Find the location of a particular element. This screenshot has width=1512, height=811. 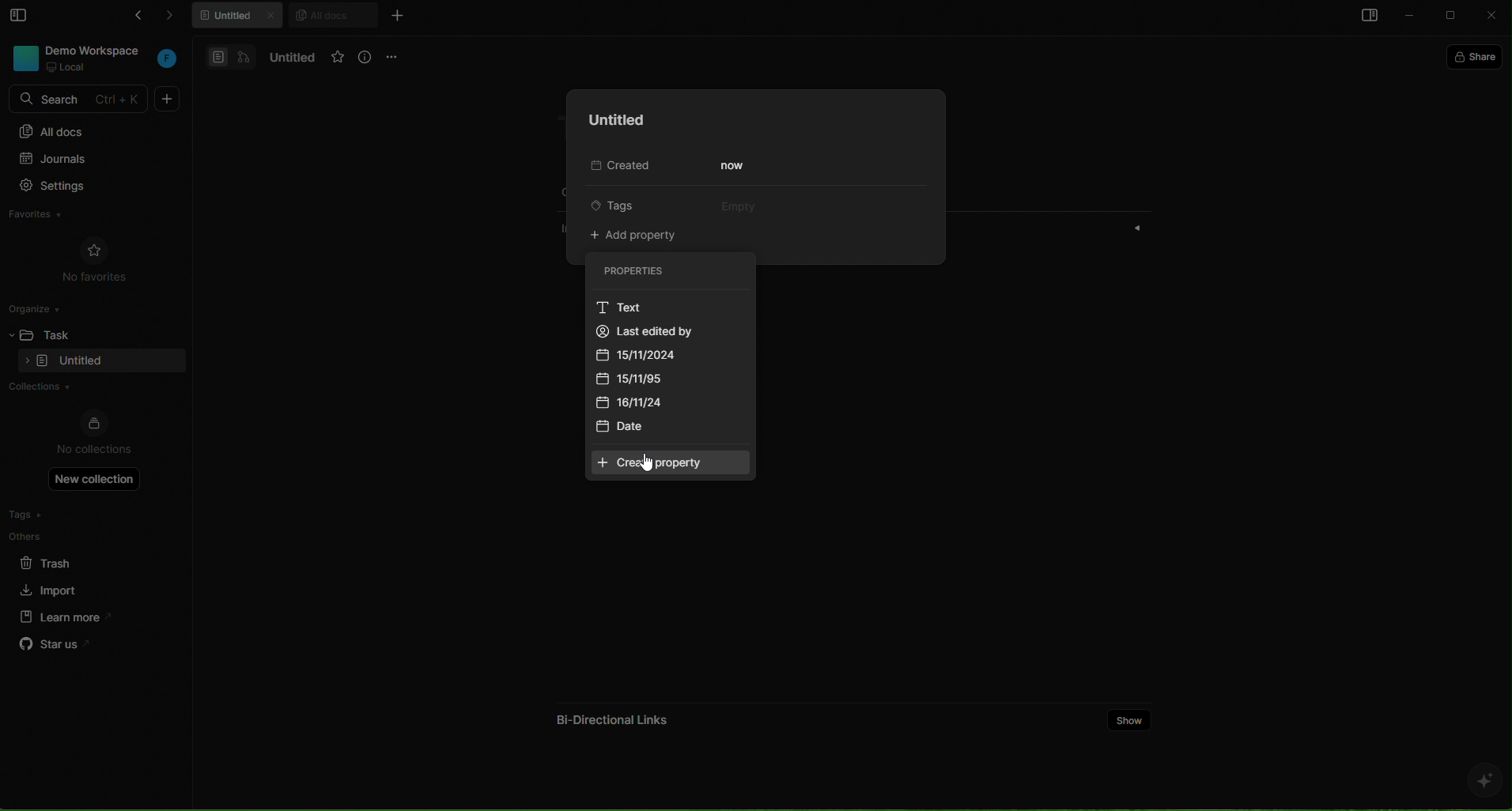

add property is located at coordinates (637, 236).